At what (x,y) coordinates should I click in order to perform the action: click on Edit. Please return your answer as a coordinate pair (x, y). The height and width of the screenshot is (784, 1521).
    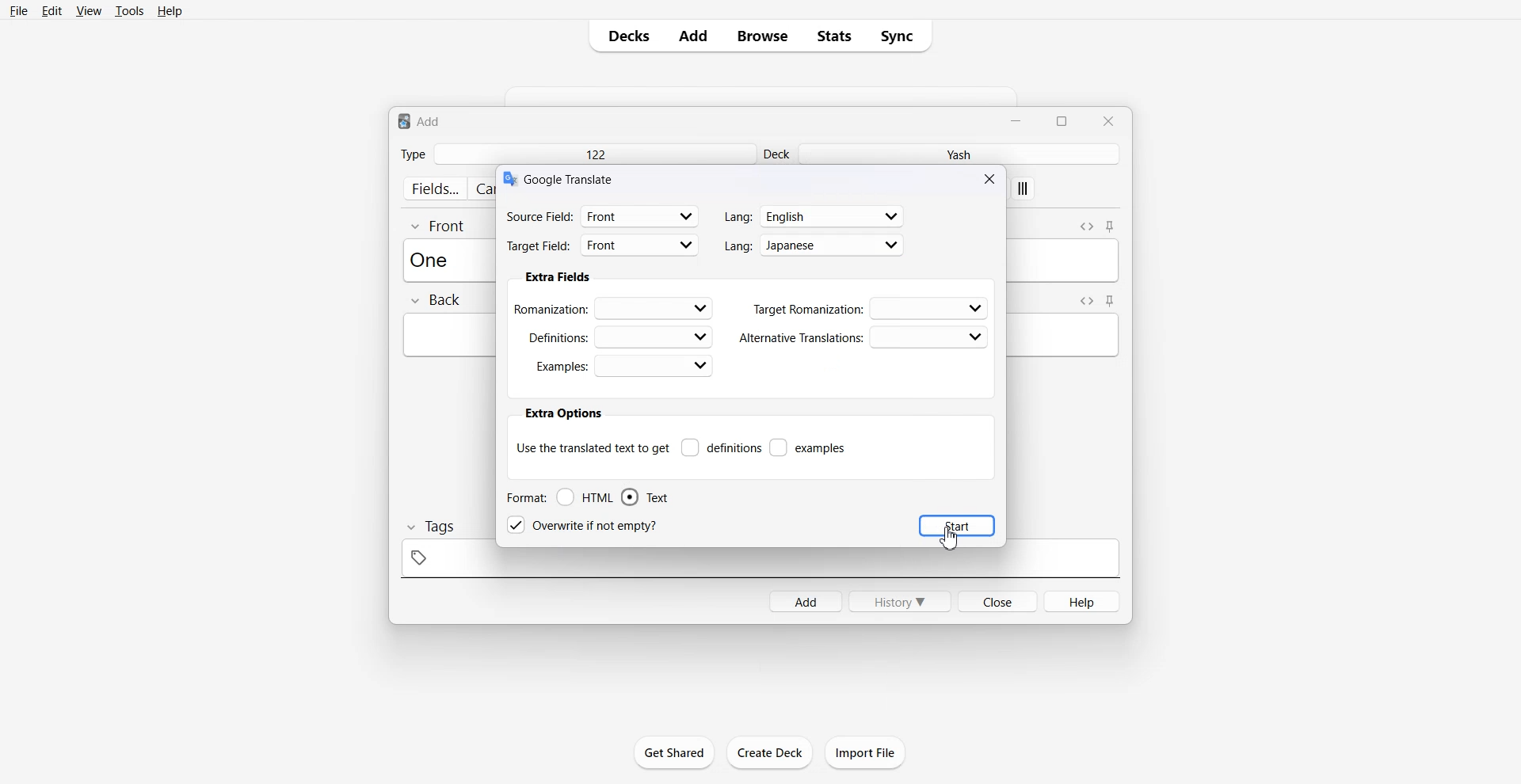
    Looking at the image, I should click on (51, 10).